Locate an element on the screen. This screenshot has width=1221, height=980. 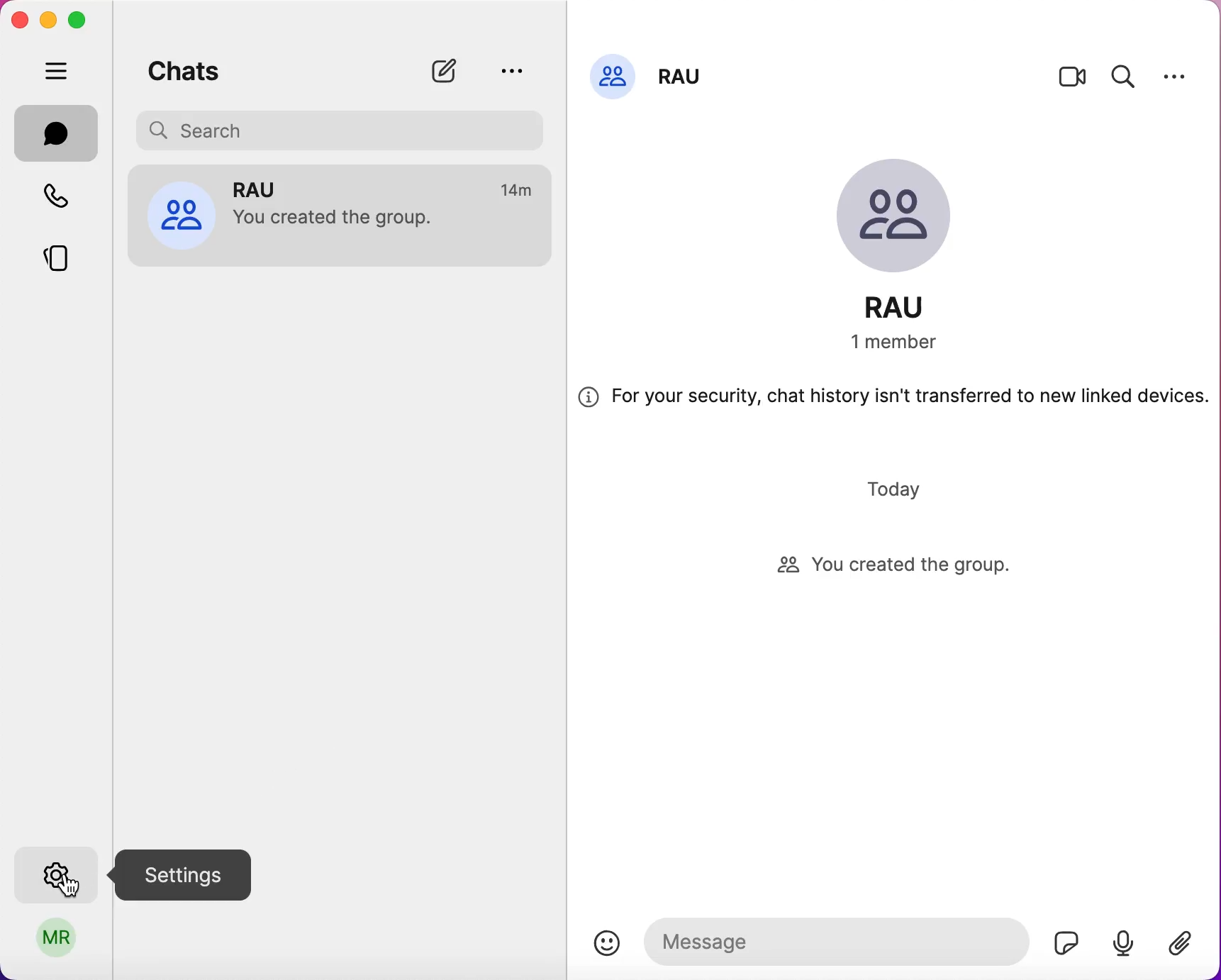
profile picture is located at coordinates (610, 79).